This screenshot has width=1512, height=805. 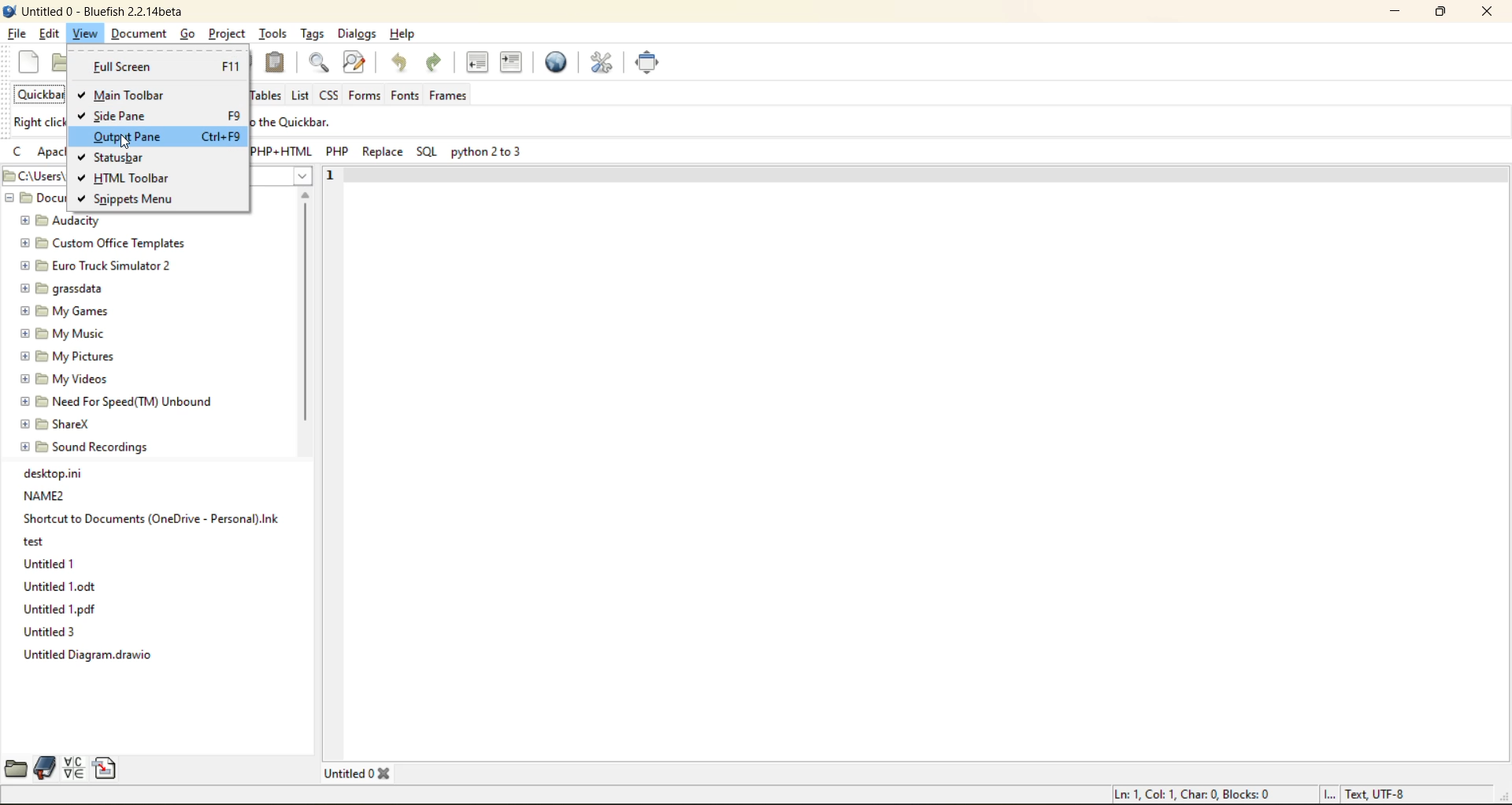 What do you see at coordinates (135, 138) in the screenshot?
I see `output pane` at bounding box center [135, 138].